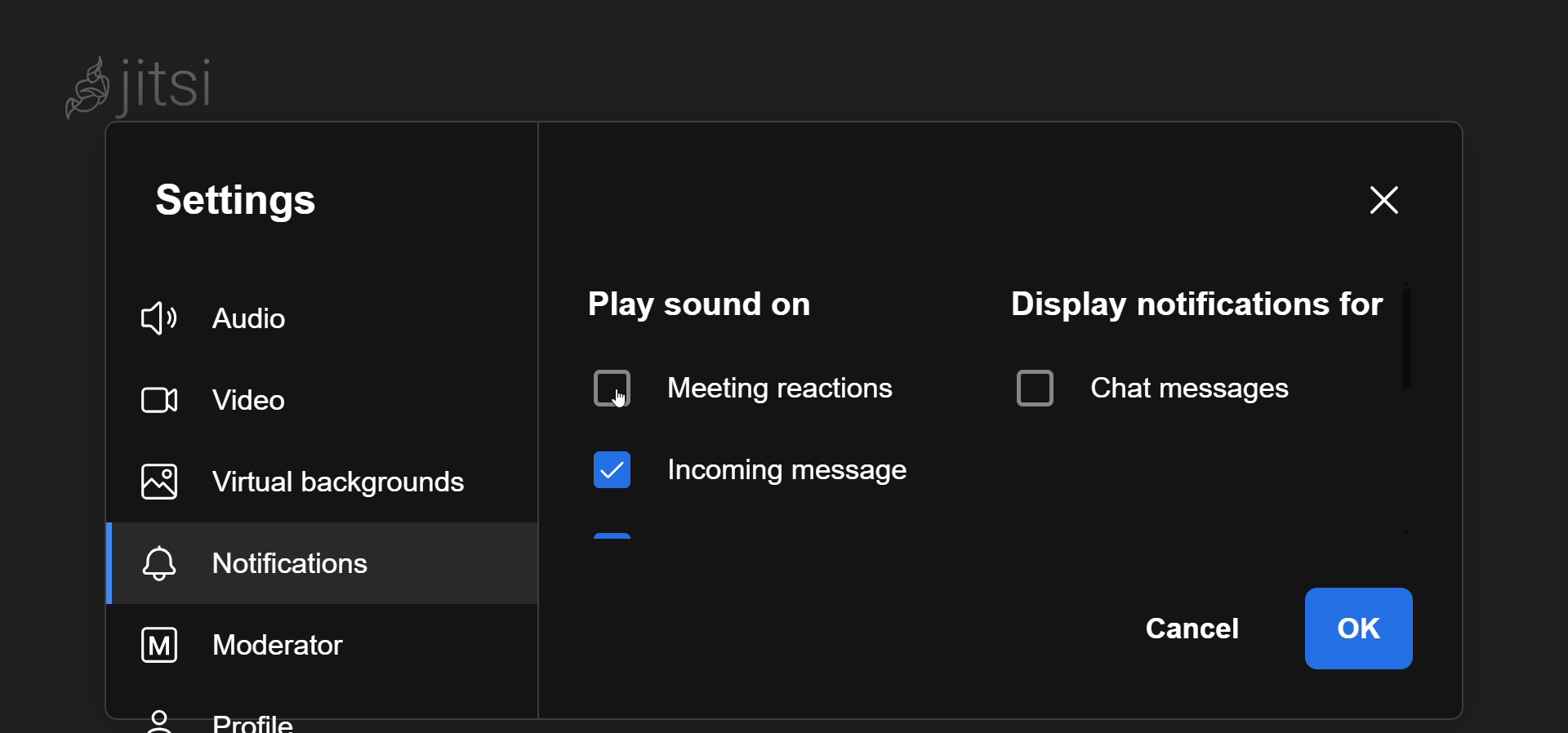 Image resolution: width=1568 pixels, height=733 pixels. What do you see at coordinates (261, 203) in the screenshot?
I see `setting` at bounding box center [261, 203].